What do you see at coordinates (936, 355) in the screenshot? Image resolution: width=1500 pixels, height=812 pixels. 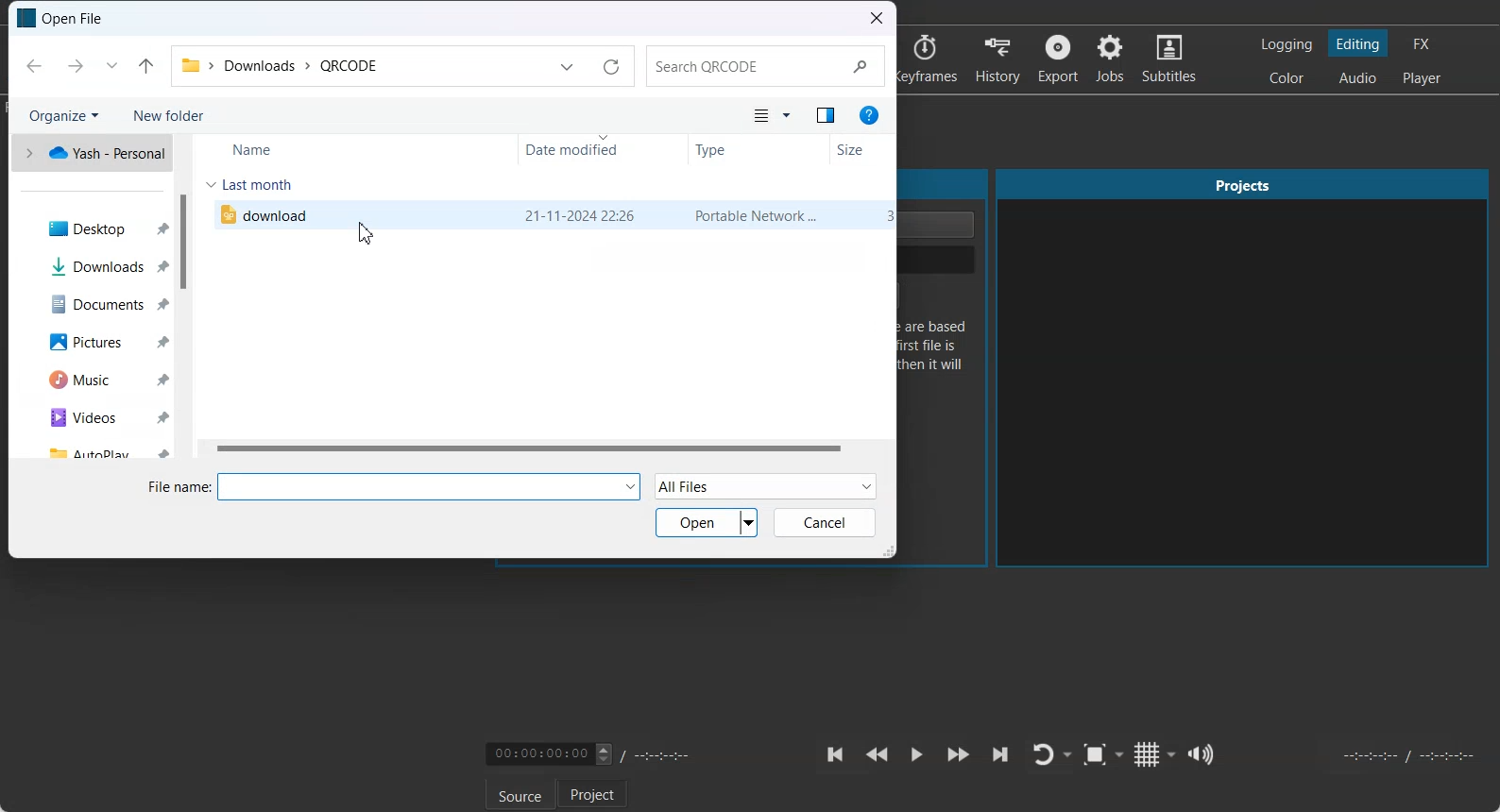 I see `Text` at bounding box center [936, 355].